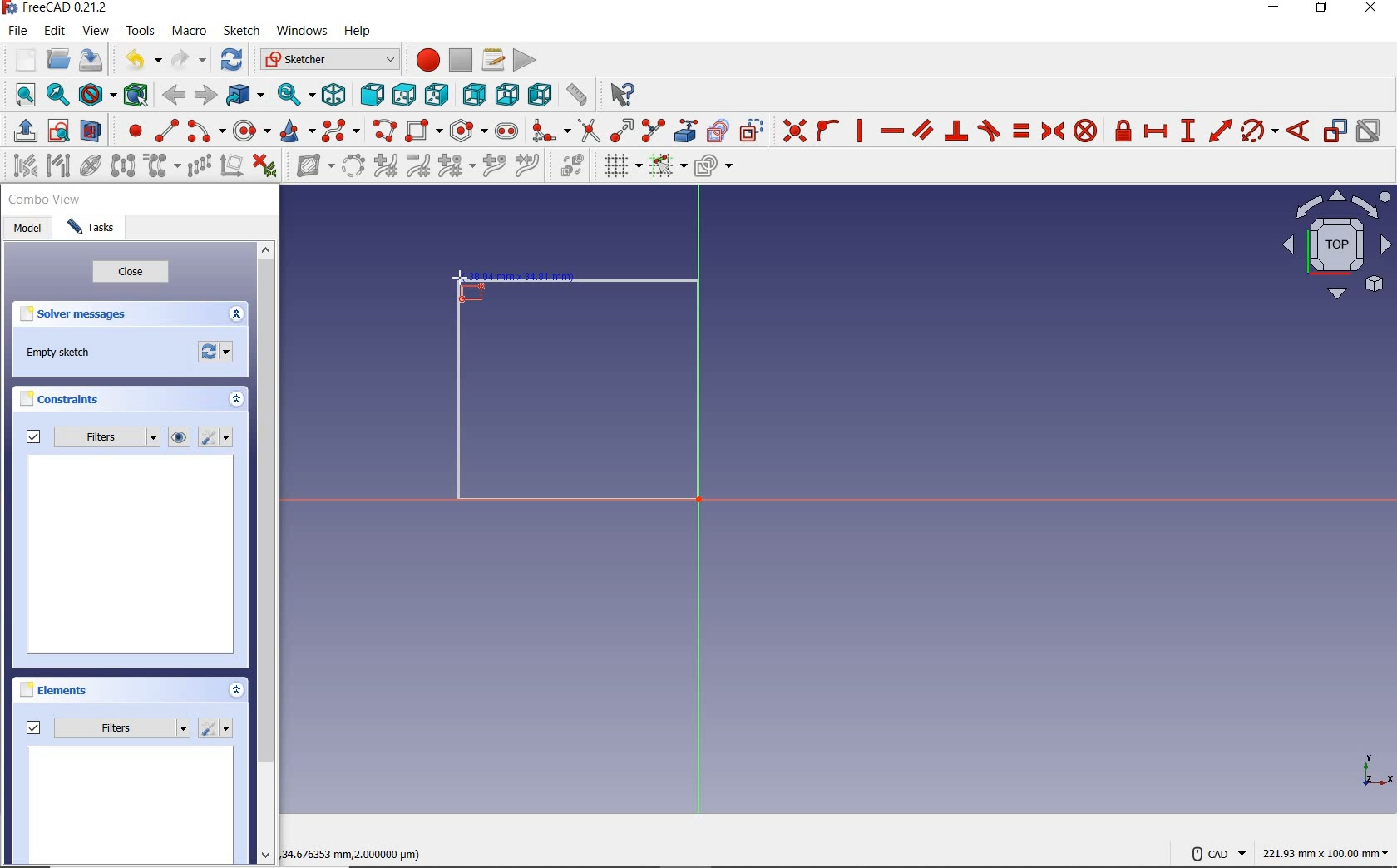  What do you see at coordinates (205, 131) in the screenshot?
I see `create arc` at bounding box center [205, 131].